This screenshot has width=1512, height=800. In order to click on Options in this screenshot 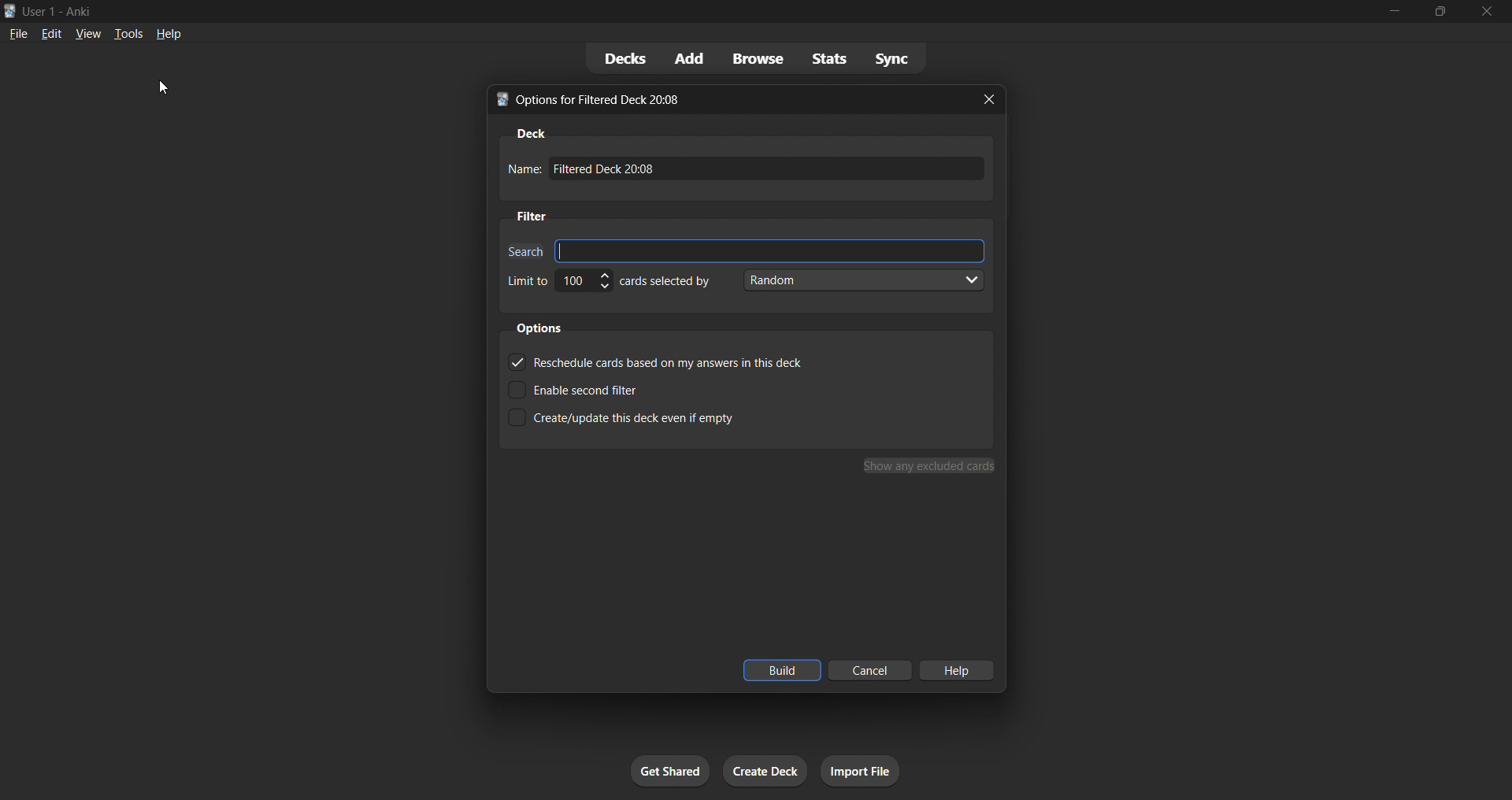, I will do `click(539, 328)`.